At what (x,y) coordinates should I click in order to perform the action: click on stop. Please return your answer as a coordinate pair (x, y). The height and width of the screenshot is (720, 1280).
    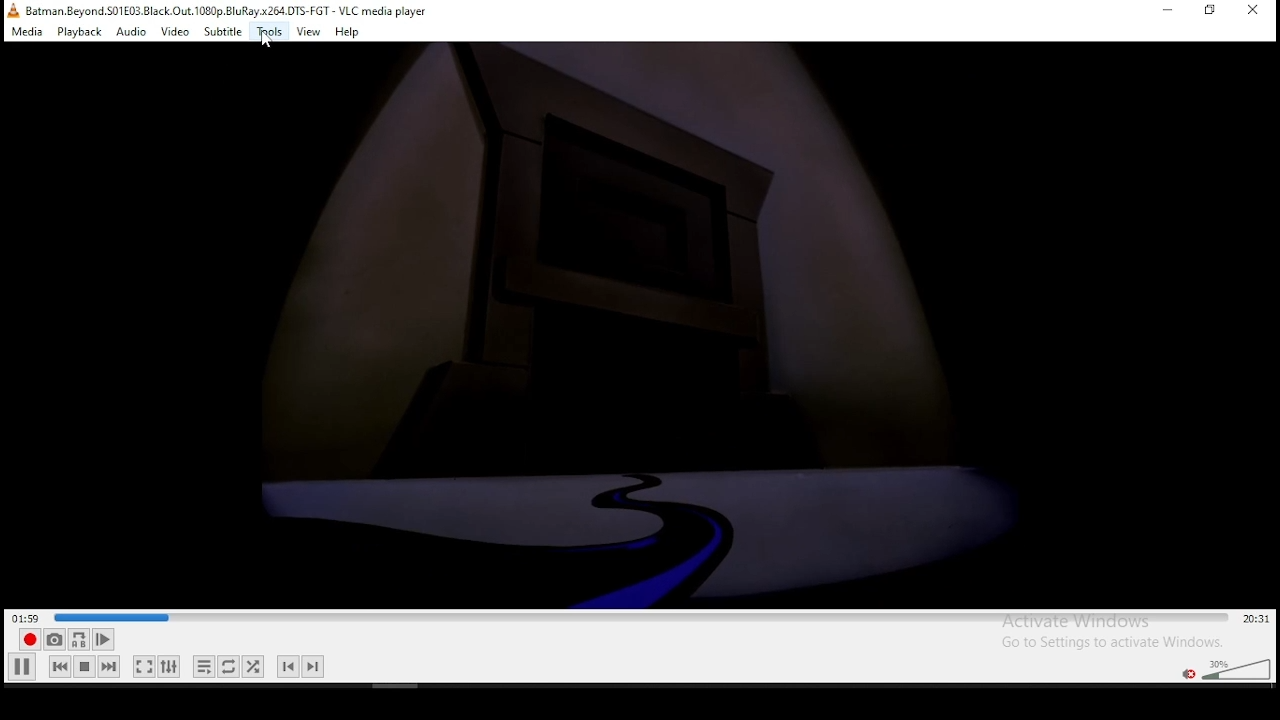
    Looking at the image, I should click on (84, 666).